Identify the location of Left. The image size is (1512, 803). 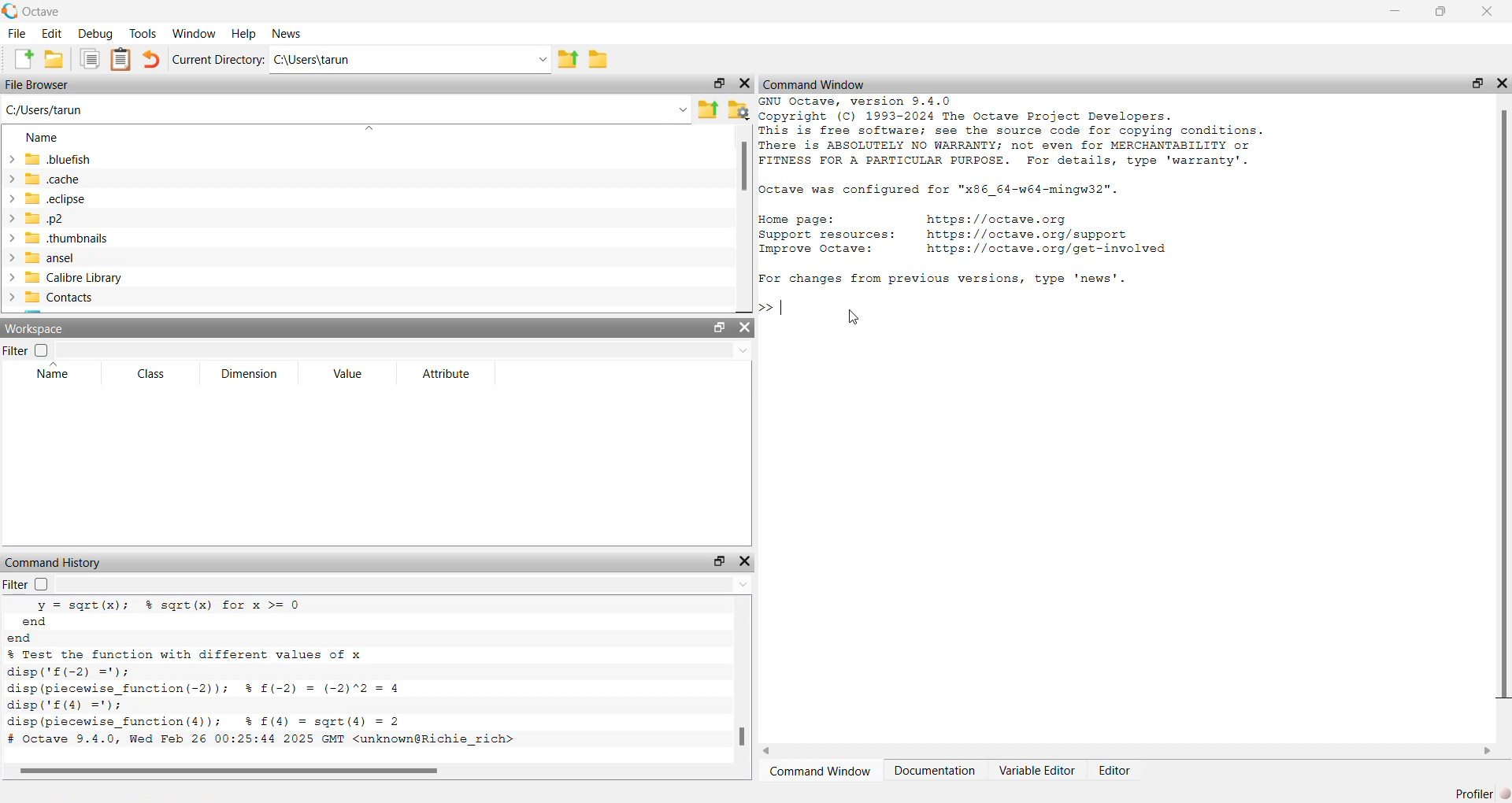
(770, 749).